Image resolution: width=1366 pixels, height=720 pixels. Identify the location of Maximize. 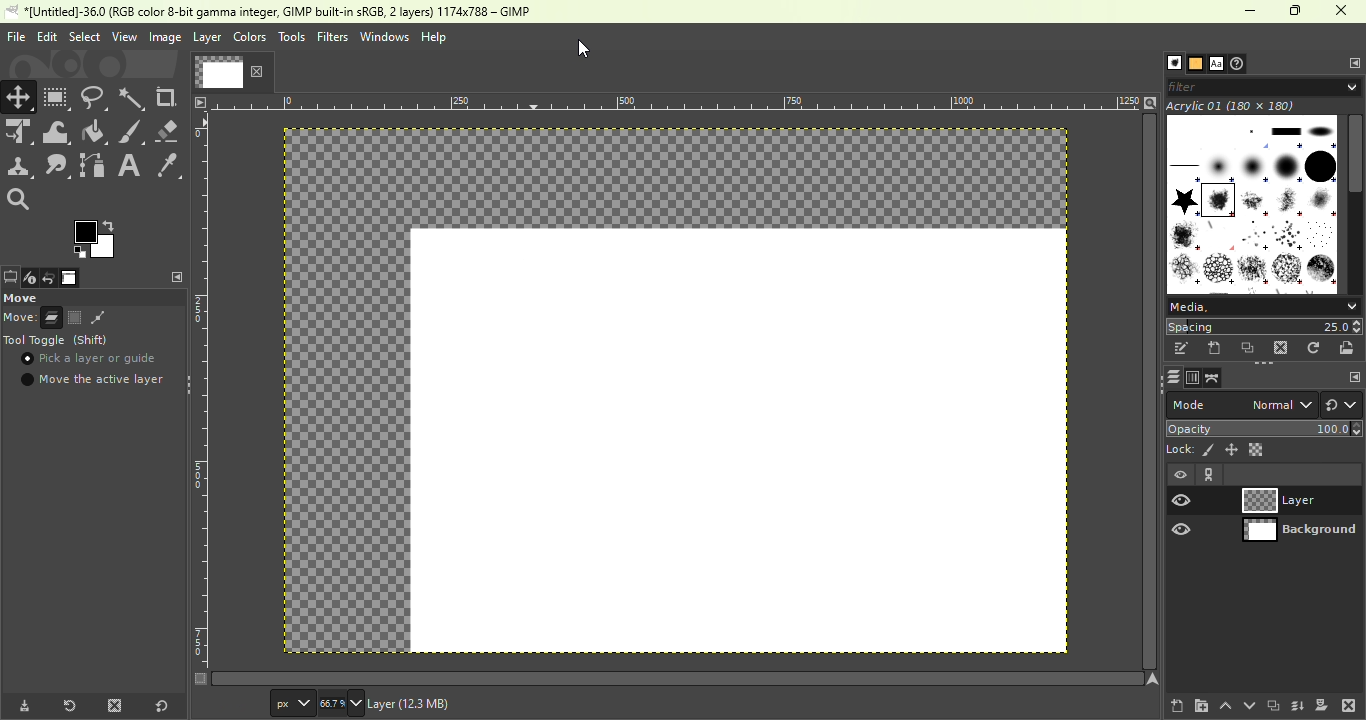
(1298, 11).